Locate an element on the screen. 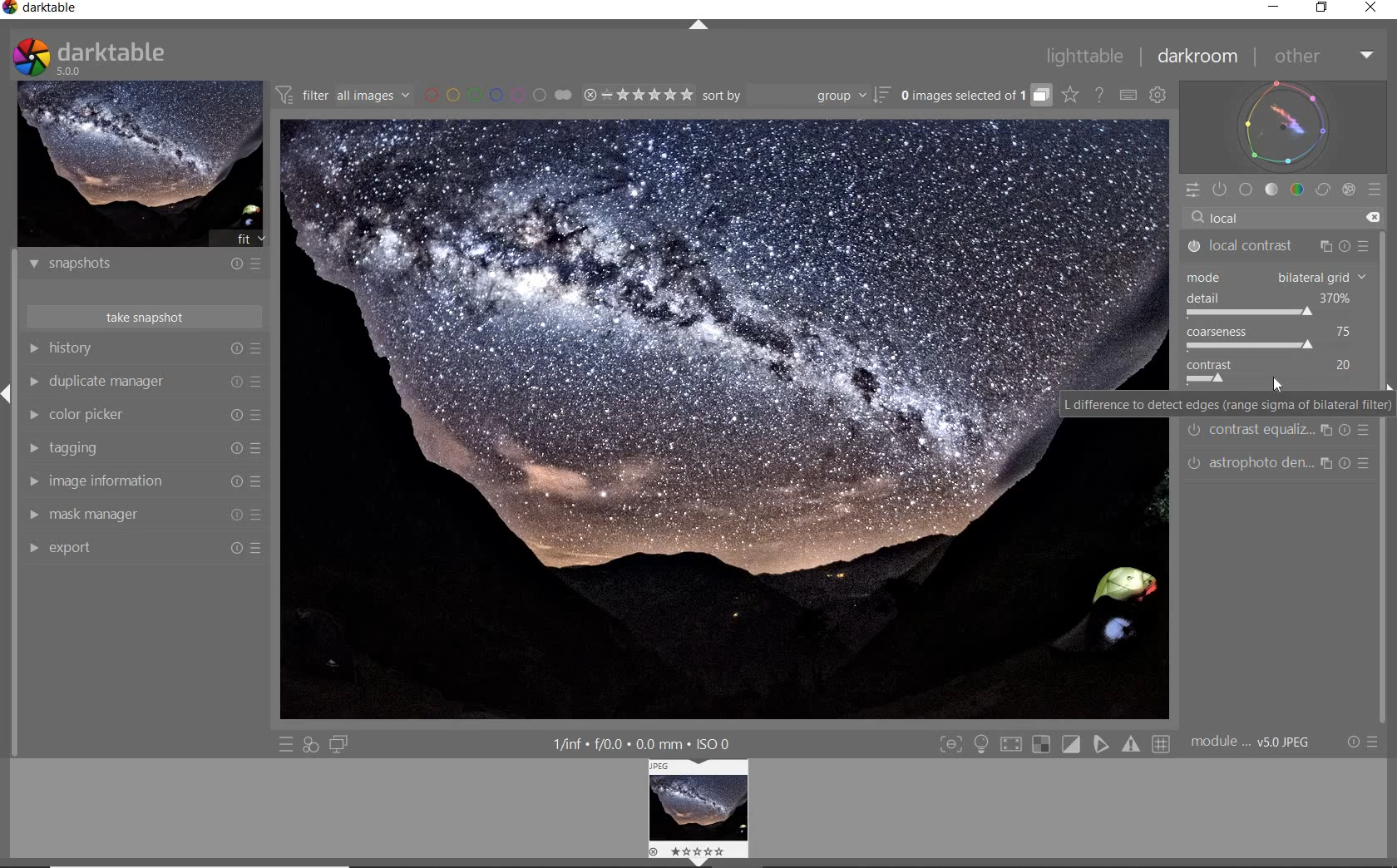  detail slider is located at coordinates (1250, 313).